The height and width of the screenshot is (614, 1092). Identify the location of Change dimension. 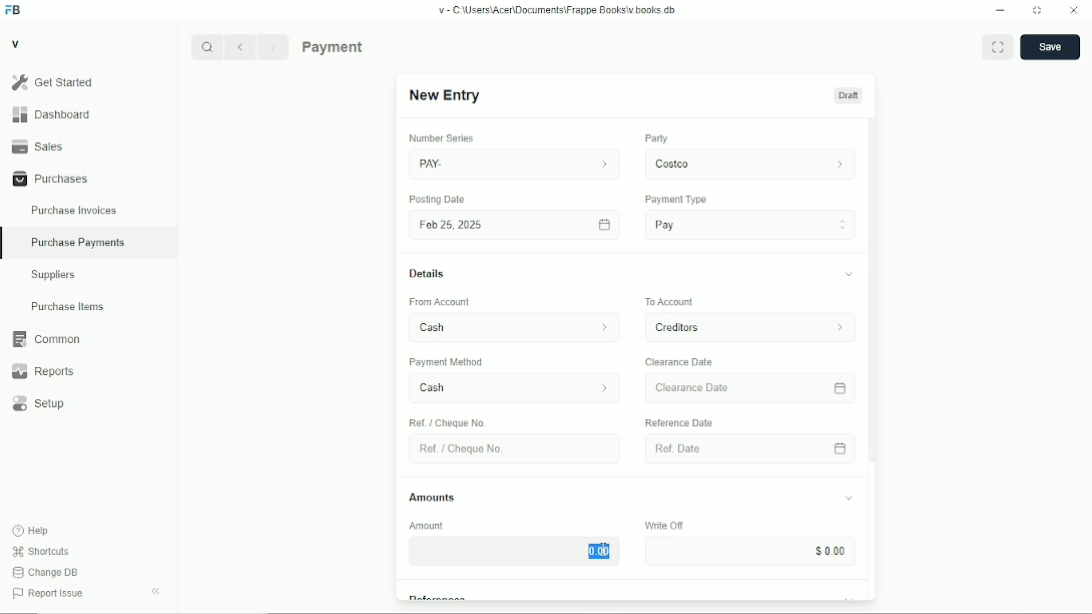
(1037, 10).